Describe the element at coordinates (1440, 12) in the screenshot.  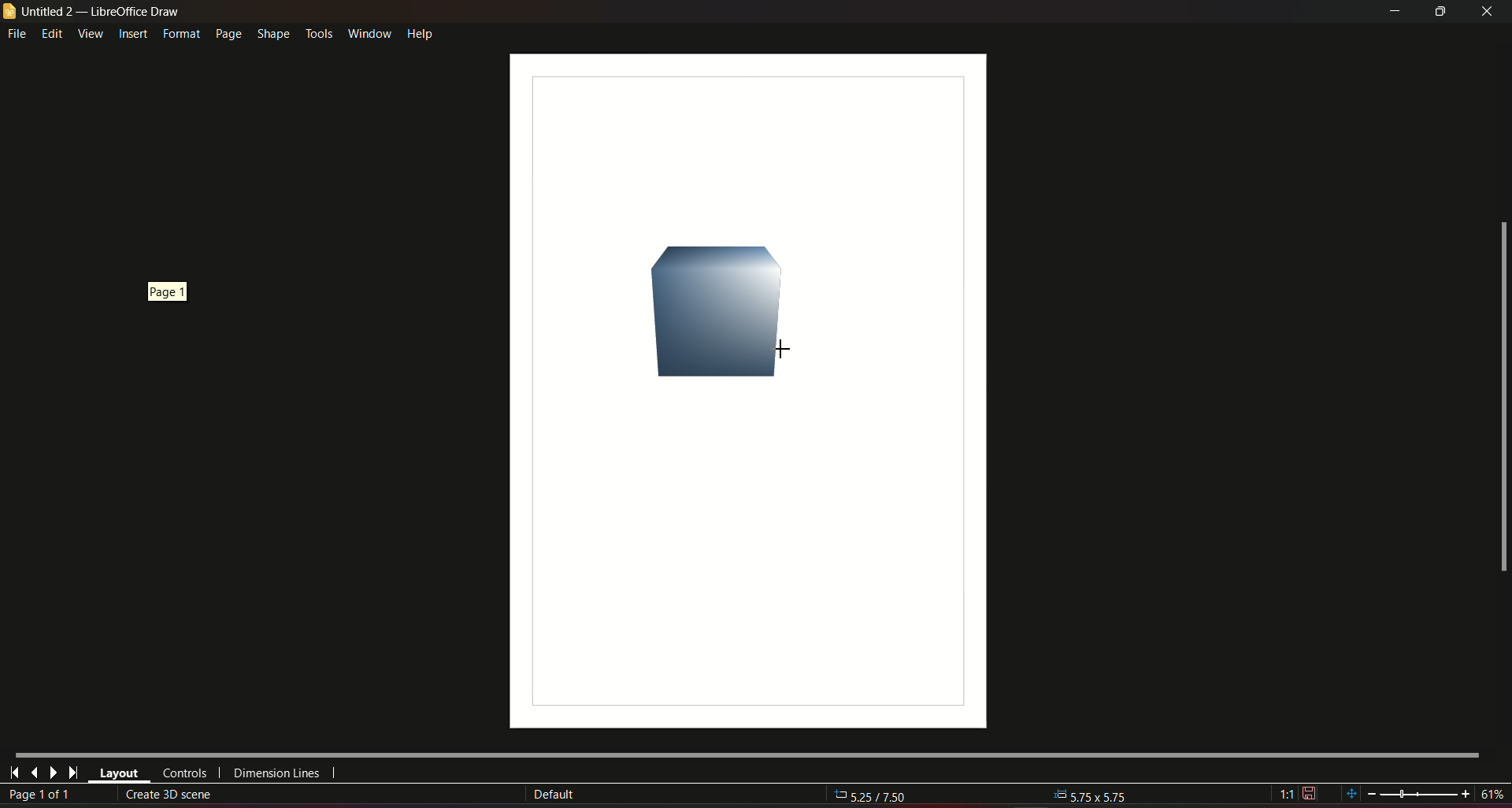
I see `minimize/maximize` at that location.